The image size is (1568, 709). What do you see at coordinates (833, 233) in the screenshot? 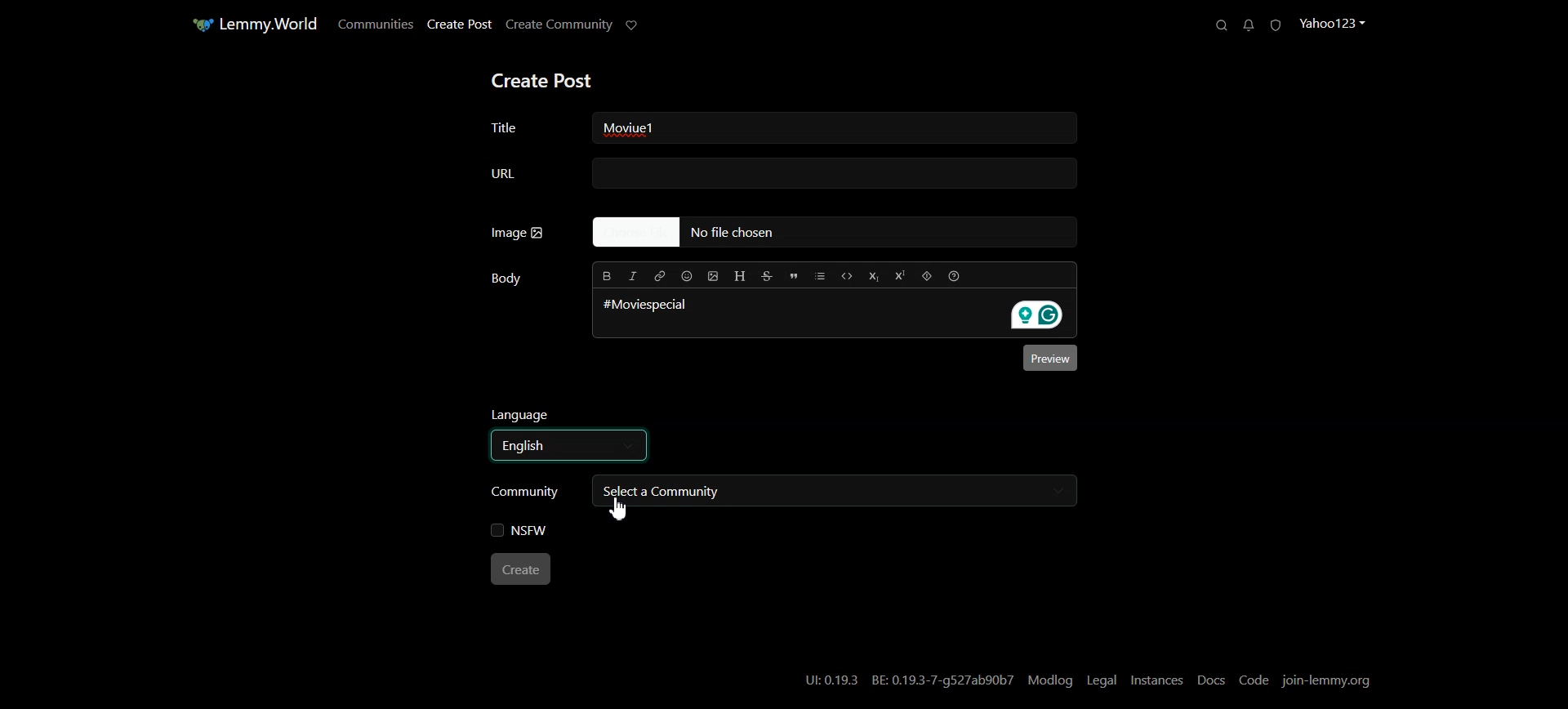
I see `No file Chosen` at bounding box center [833, 233].